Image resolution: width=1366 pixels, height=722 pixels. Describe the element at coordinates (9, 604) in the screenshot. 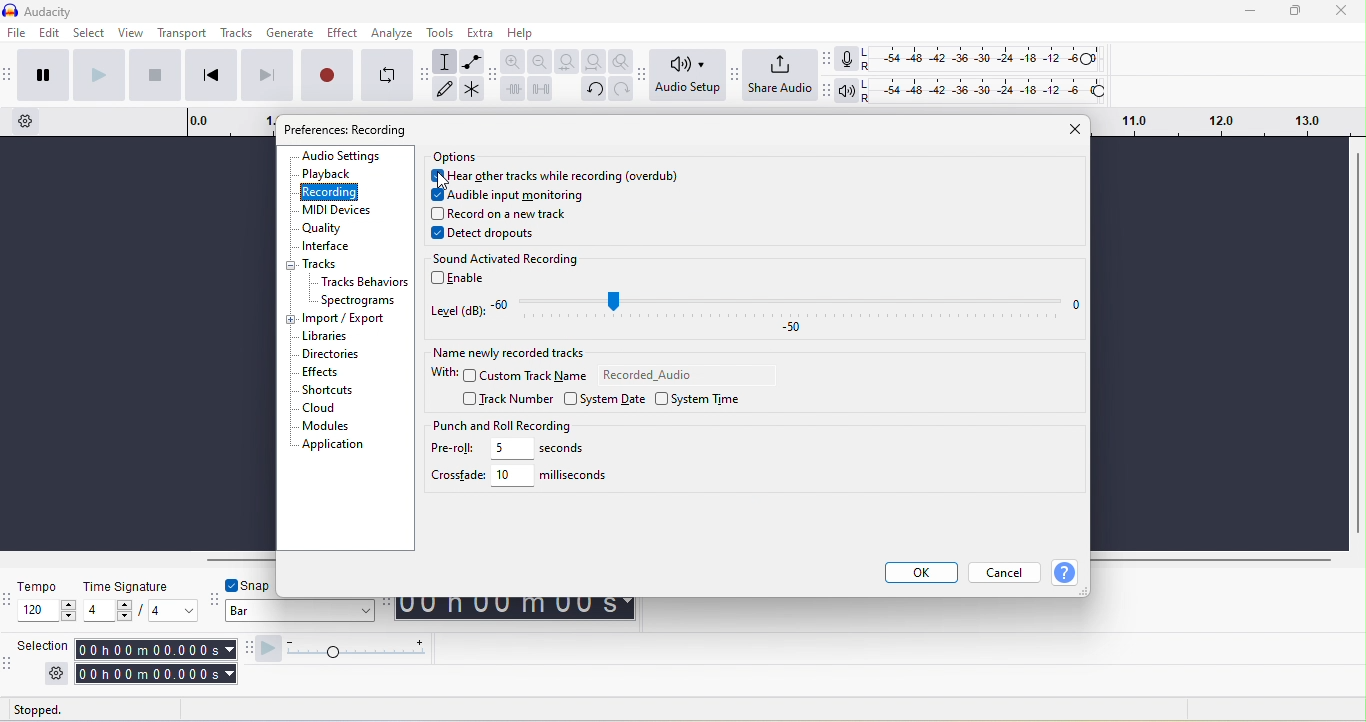

I see `audacity time signature toolbar` at that location.